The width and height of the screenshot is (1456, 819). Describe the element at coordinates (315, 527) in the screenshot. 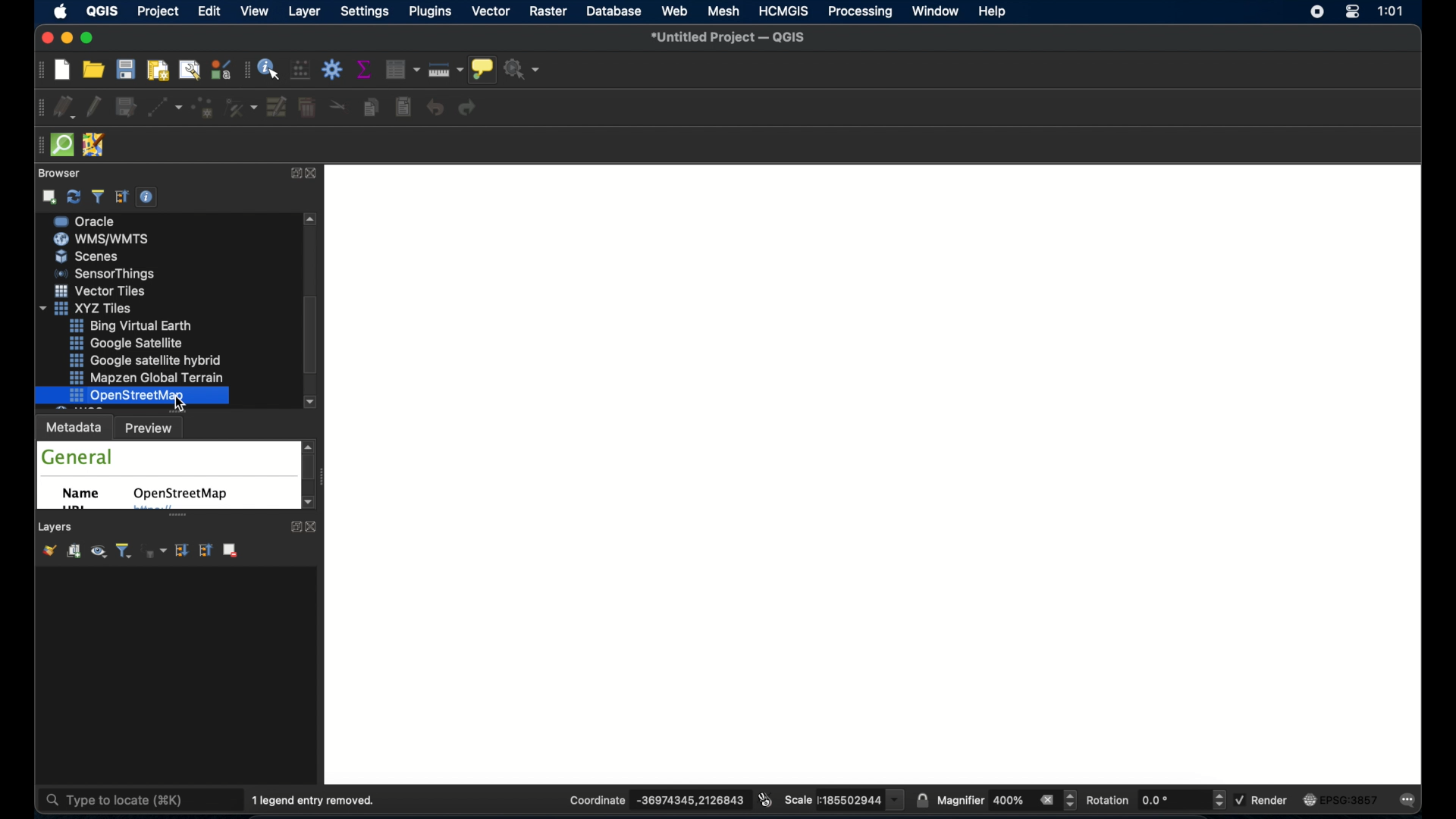

I see `close` at that location.